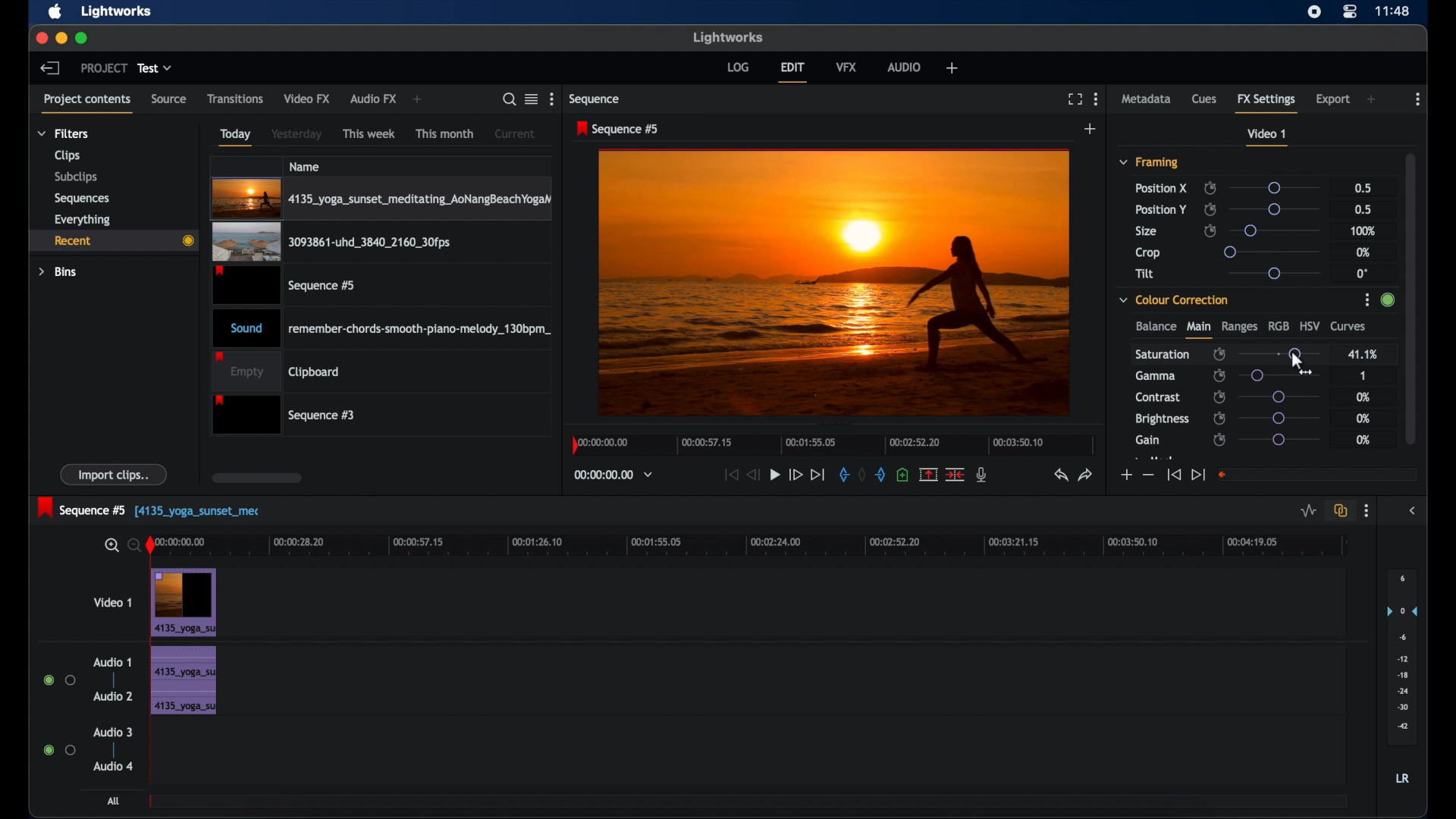 This screenshot has height=819, width=1456. Describe the element at coordinates (1315, 11) in the screenshot. I see `screen recorder` at that location.